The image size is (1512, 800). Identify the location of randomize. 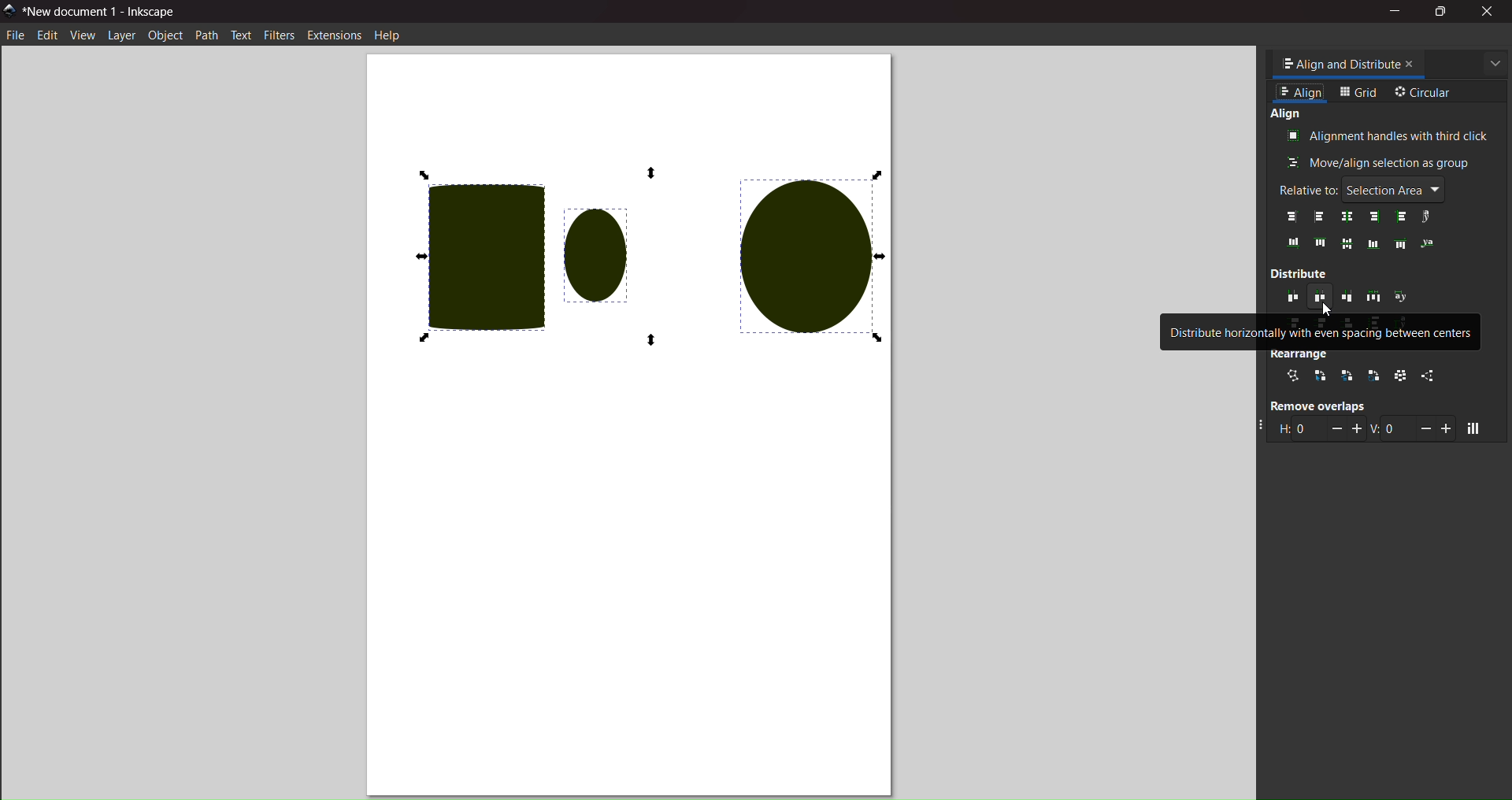
(1401, 376).